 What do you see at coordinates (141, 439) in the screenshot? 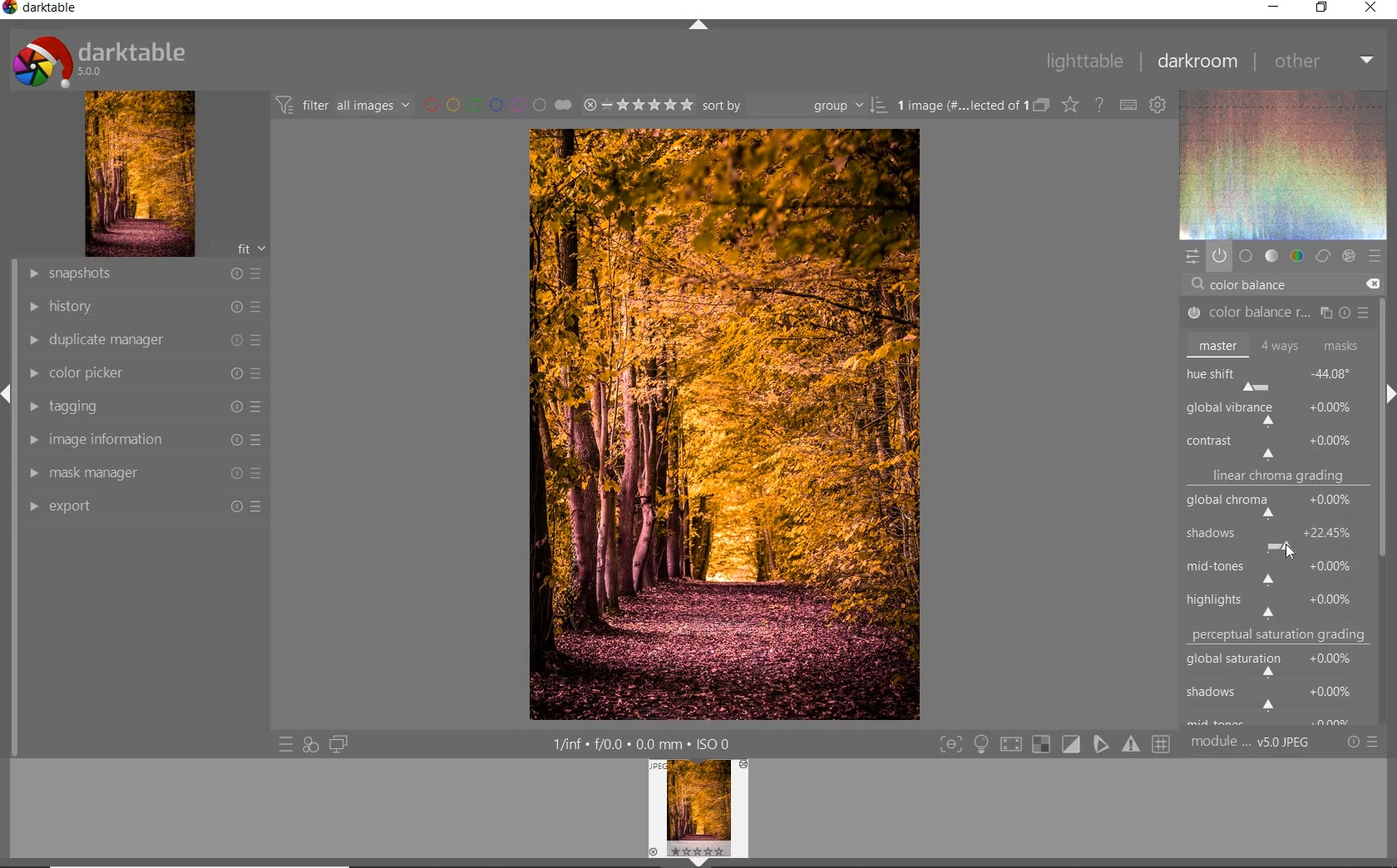
I see `image information` at bounding box center [141, 439].